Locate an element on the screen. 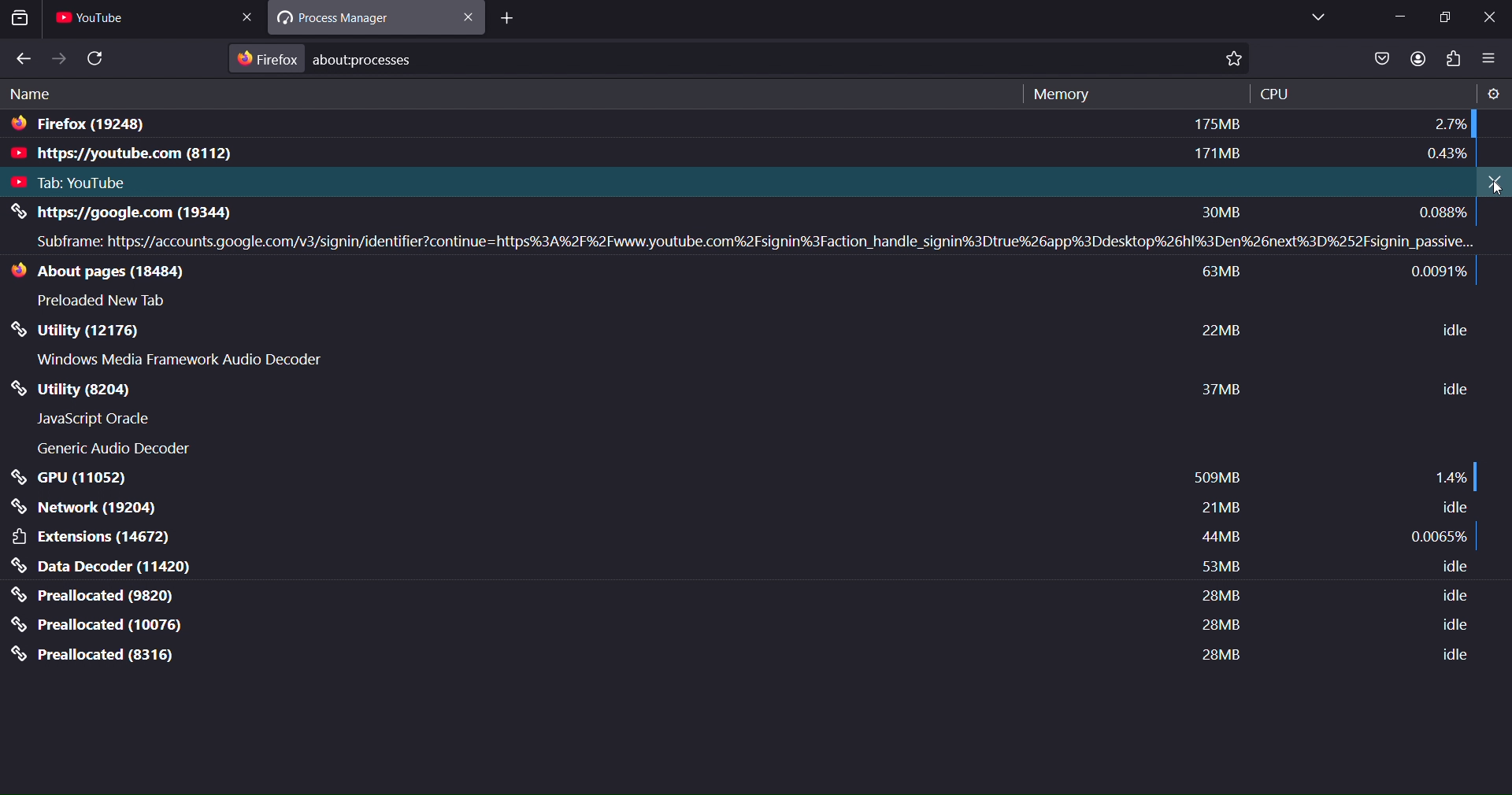 The height and width of the screenshot is (795, 1512). memory is located at coordinates (1058, 94).